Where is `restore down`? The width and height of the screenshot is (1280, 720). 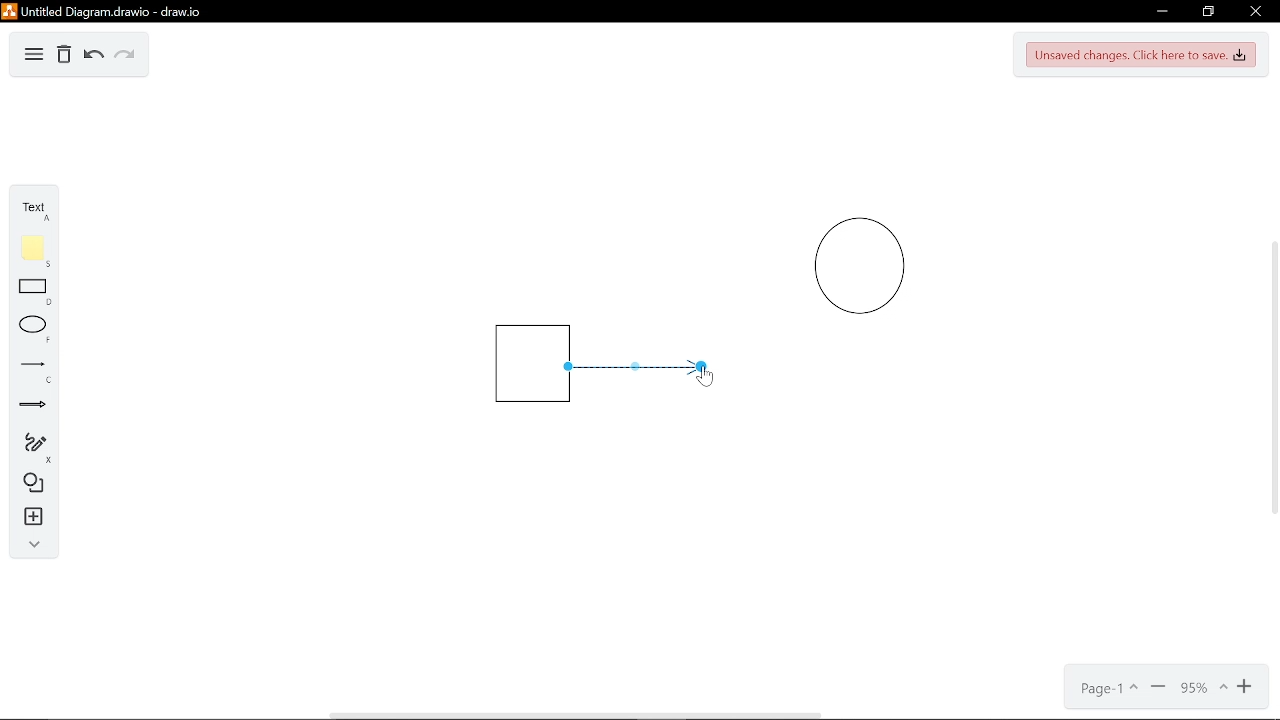
restore down is located at coordinates (1206, 12).